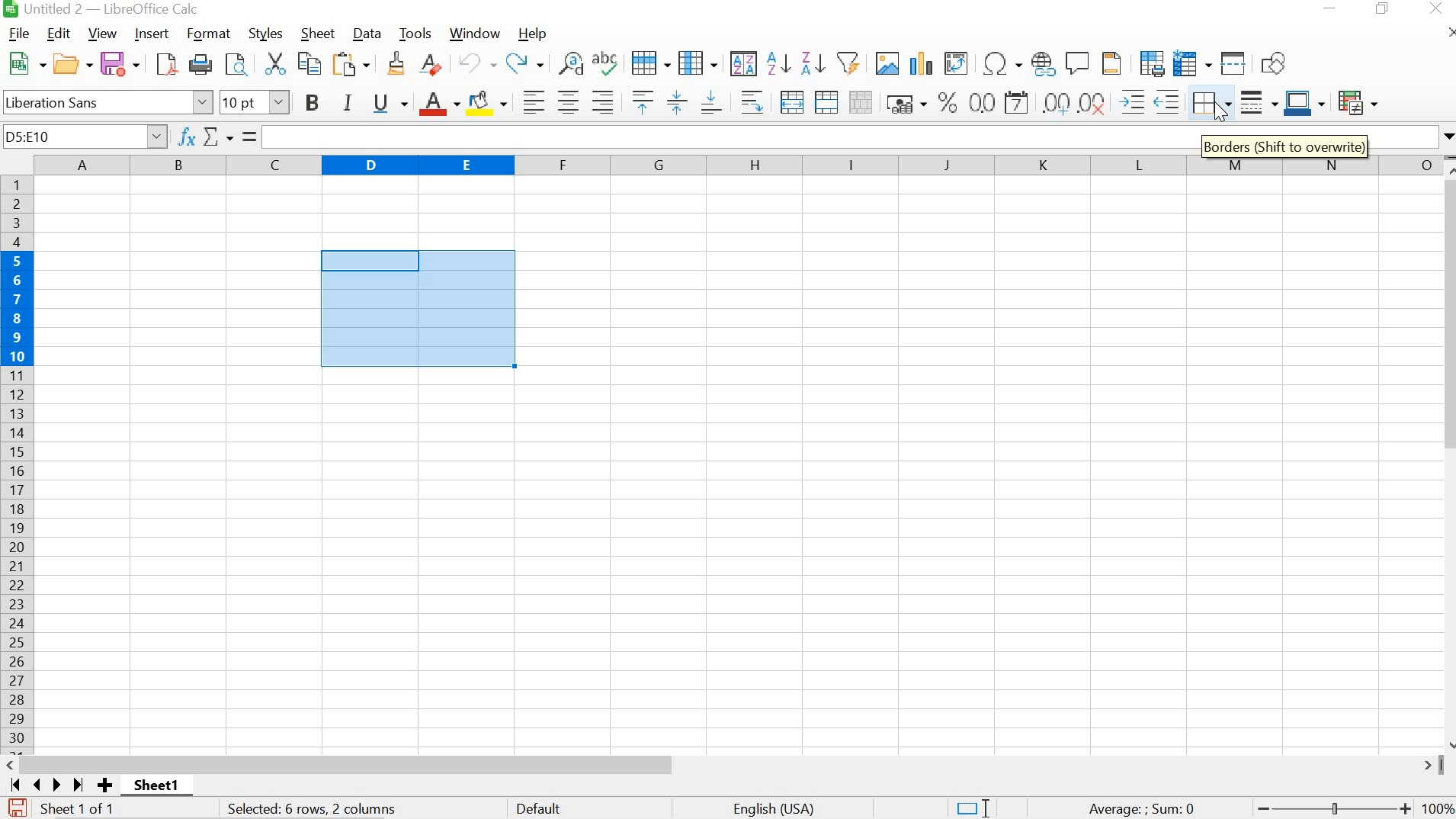 The width and height of the screenshot is (1456, 819). Describe the element at coordinates (275, 63) in the screenshot. I see `CUT` at that location.